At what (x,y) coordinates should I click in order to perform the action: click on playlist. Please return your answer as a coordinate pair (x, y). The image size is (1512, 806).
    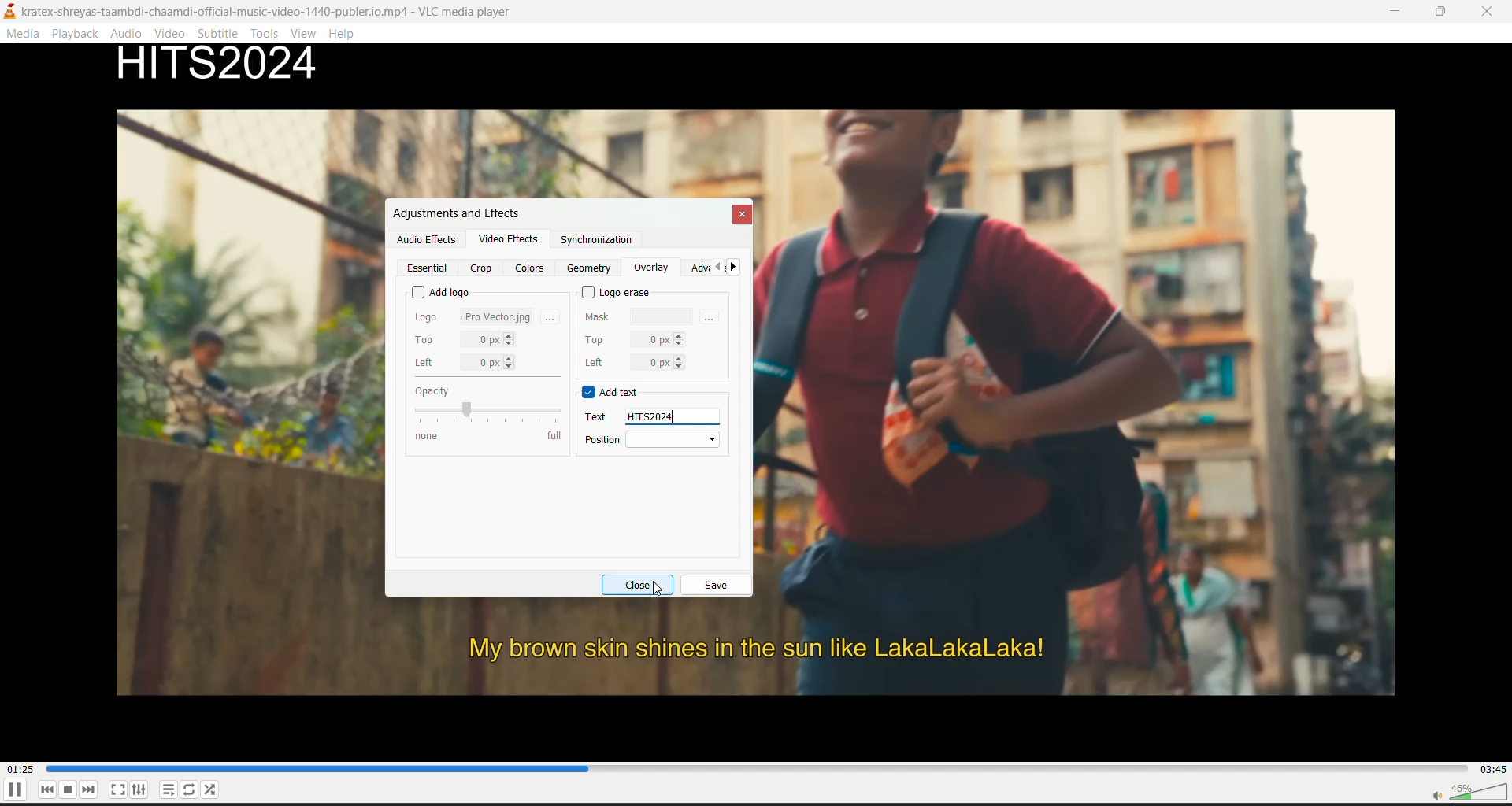
    Looking at the image, I should click on (166, 789).